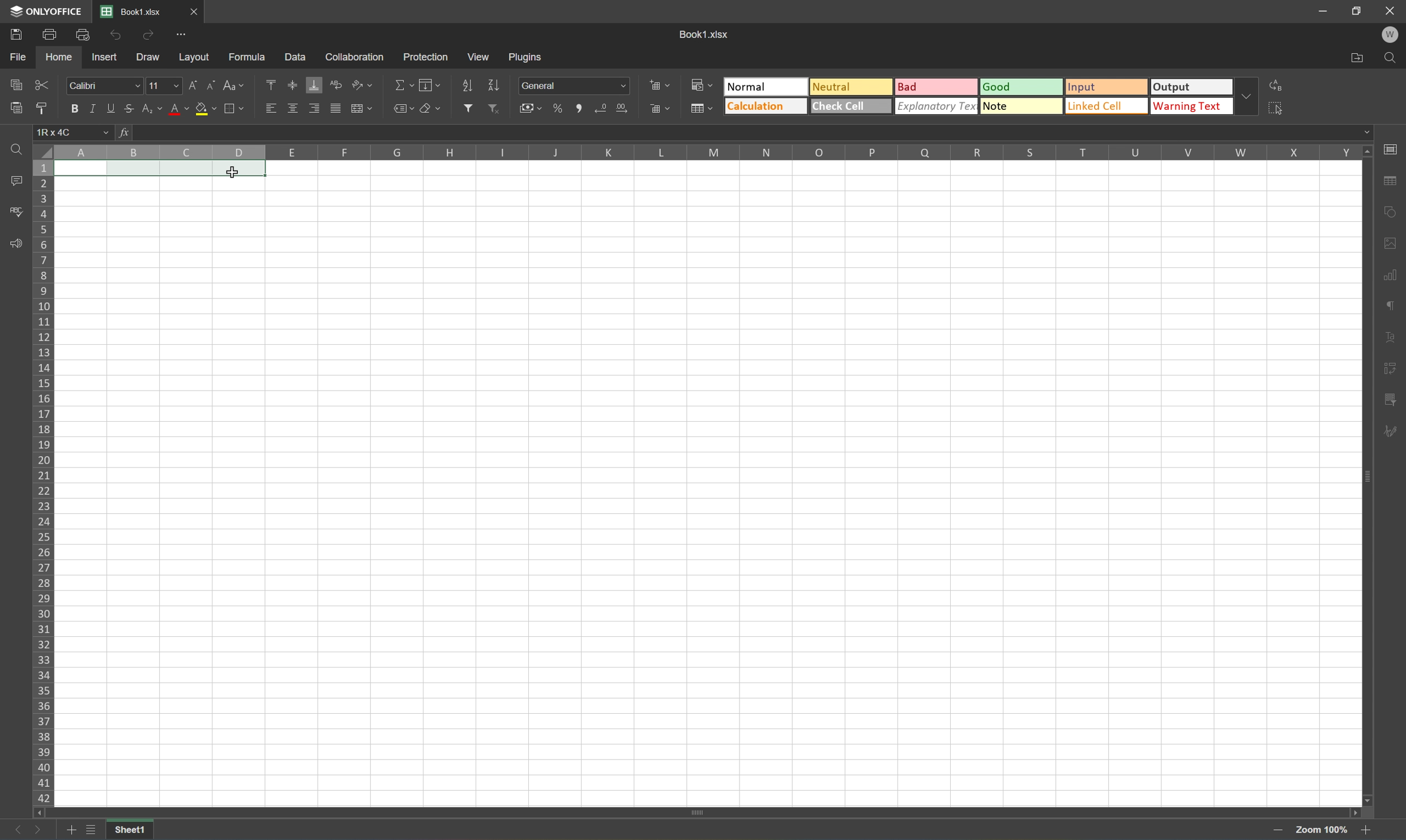  What do you see at coordinates (493, 84) in the screenshot?
I see `Sort descending` at bounding box center [493, 84].